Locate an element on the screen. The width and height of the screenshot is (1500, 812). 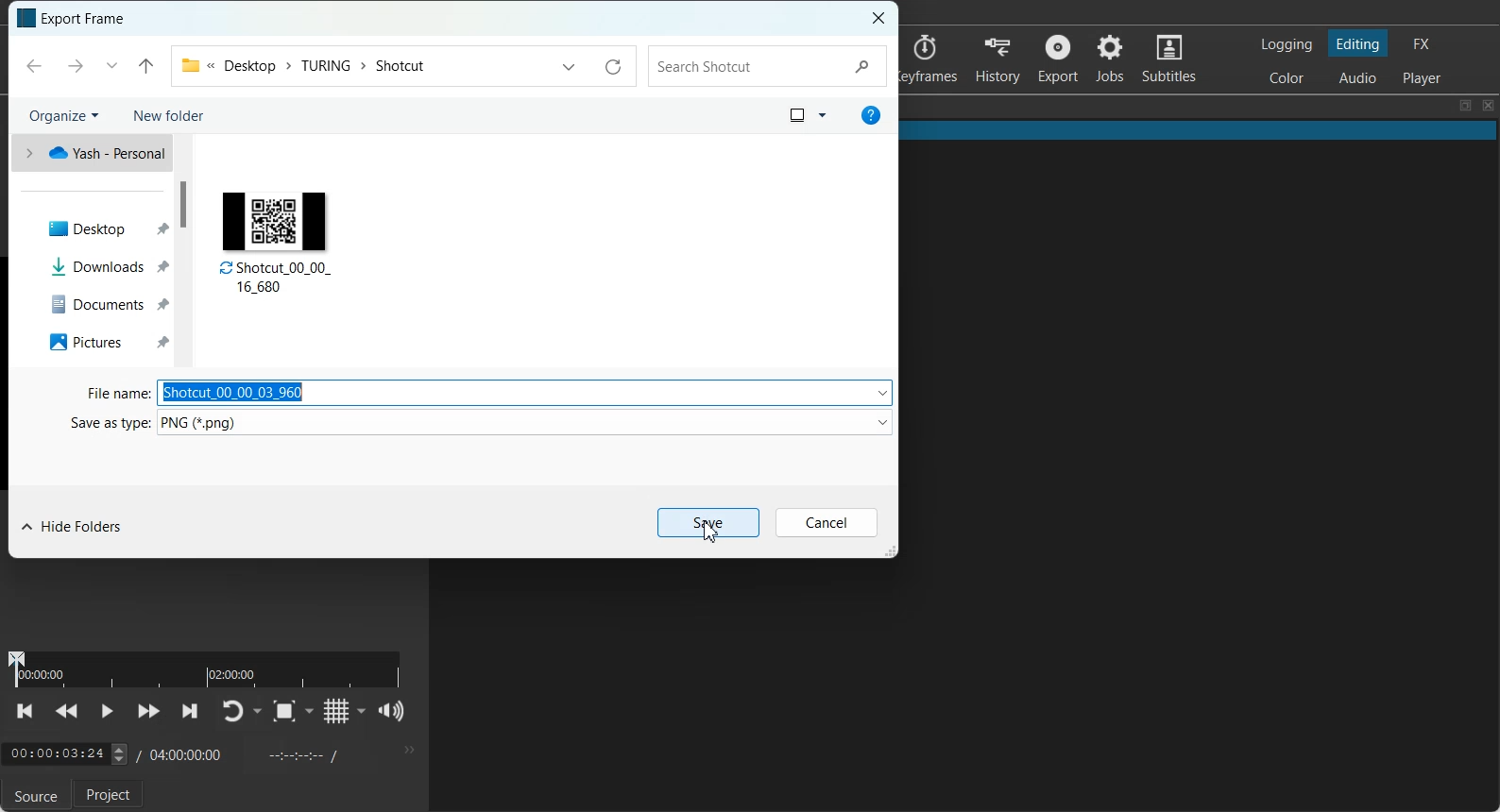
Show volume control is located at coordinates (392, 711).